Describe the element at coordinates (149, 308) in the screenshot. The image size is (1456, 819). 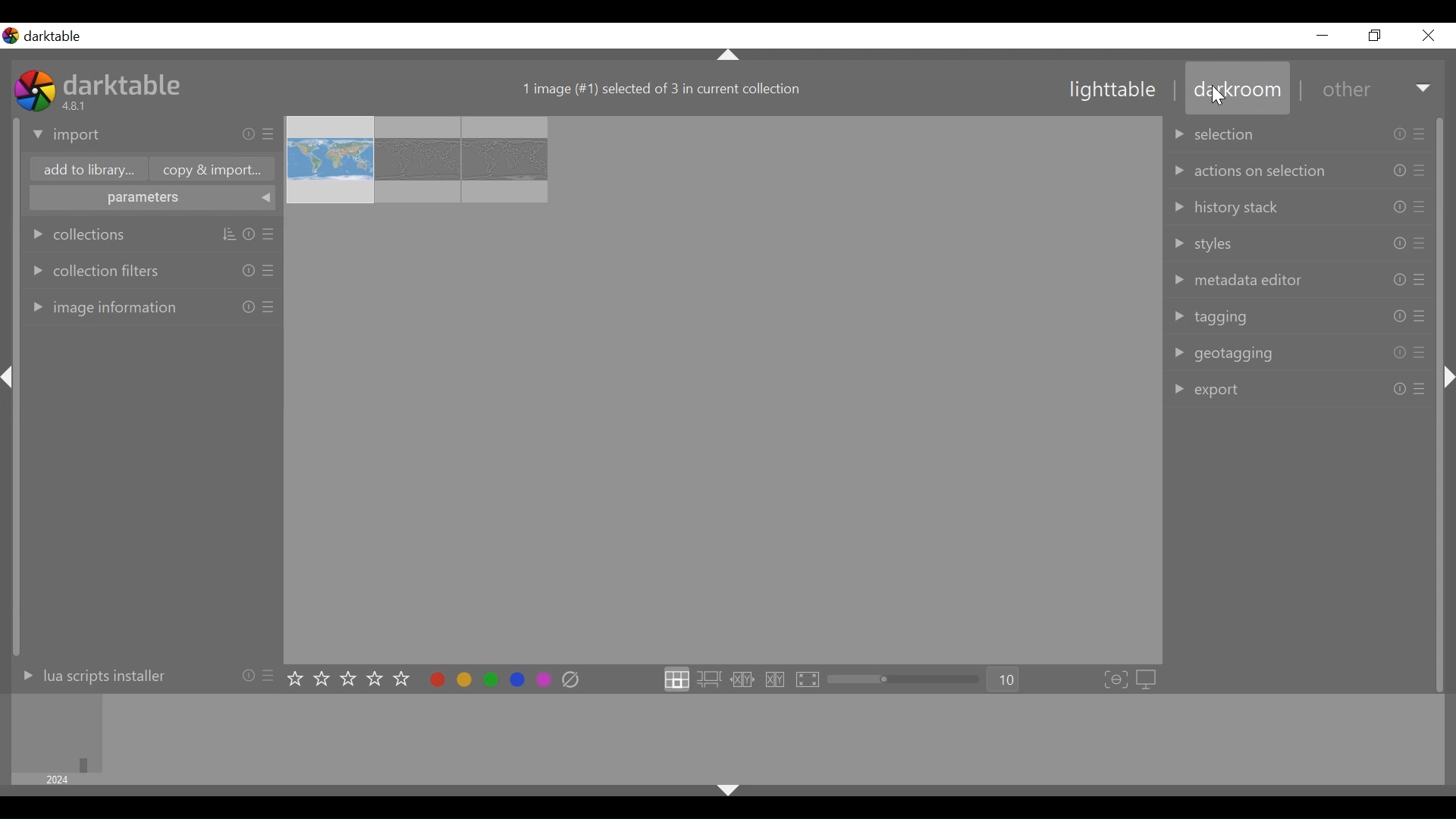
I see `image information` at that location.